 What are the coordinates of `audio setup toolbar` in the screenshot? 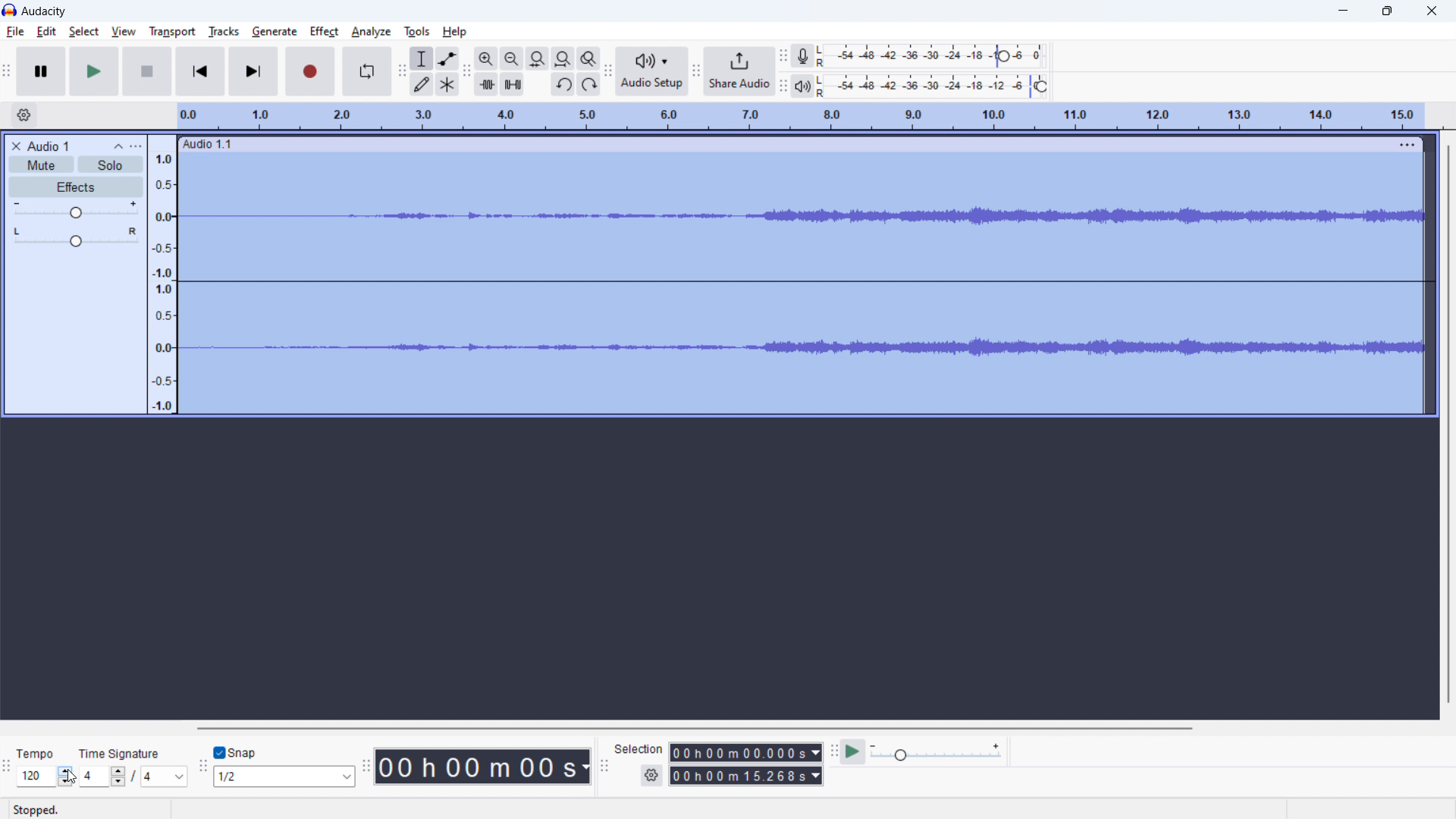 It's located at (607, 71).